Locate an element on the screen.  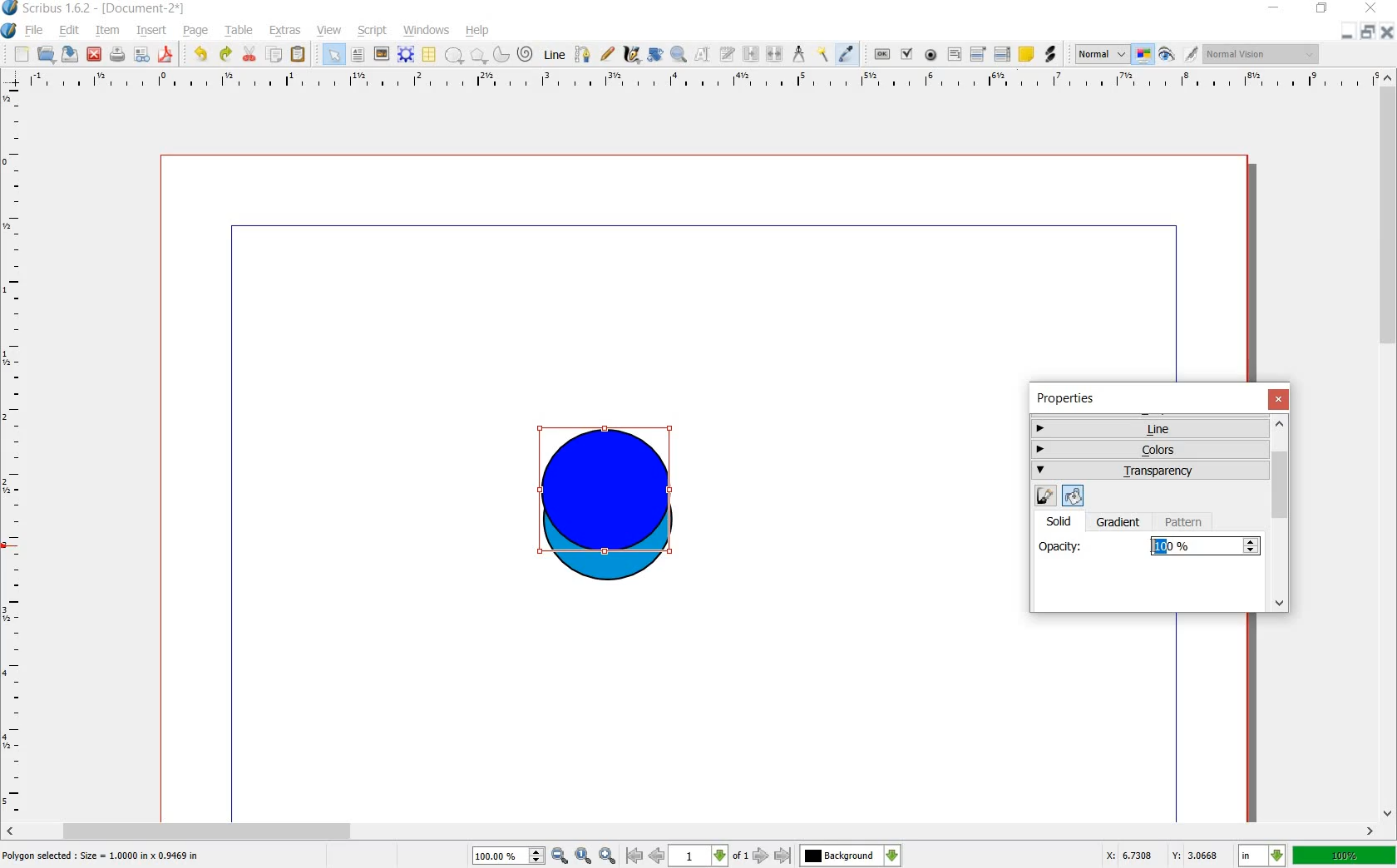
polygon is located at coordinates (477, 56).